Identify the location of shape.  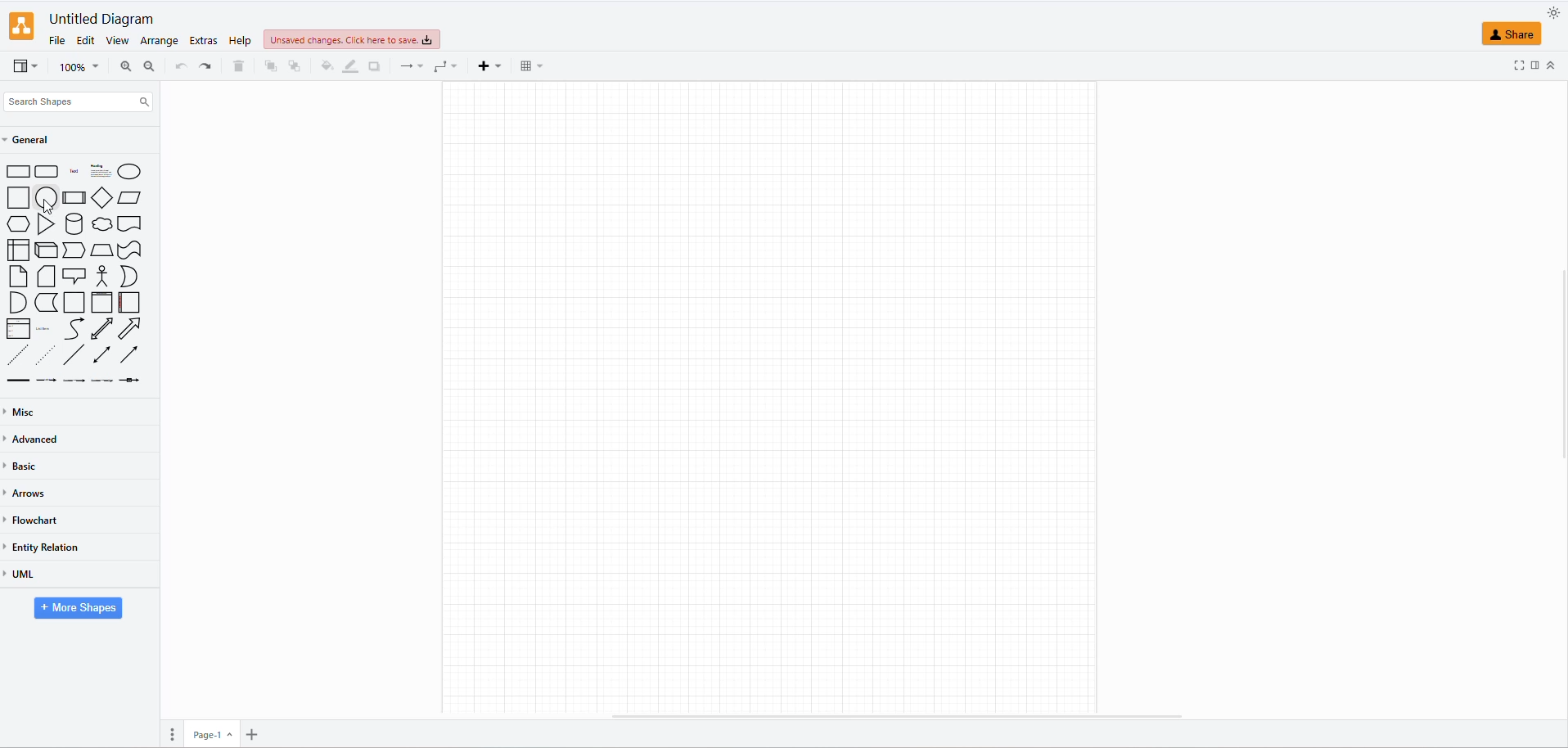
(89, 170).